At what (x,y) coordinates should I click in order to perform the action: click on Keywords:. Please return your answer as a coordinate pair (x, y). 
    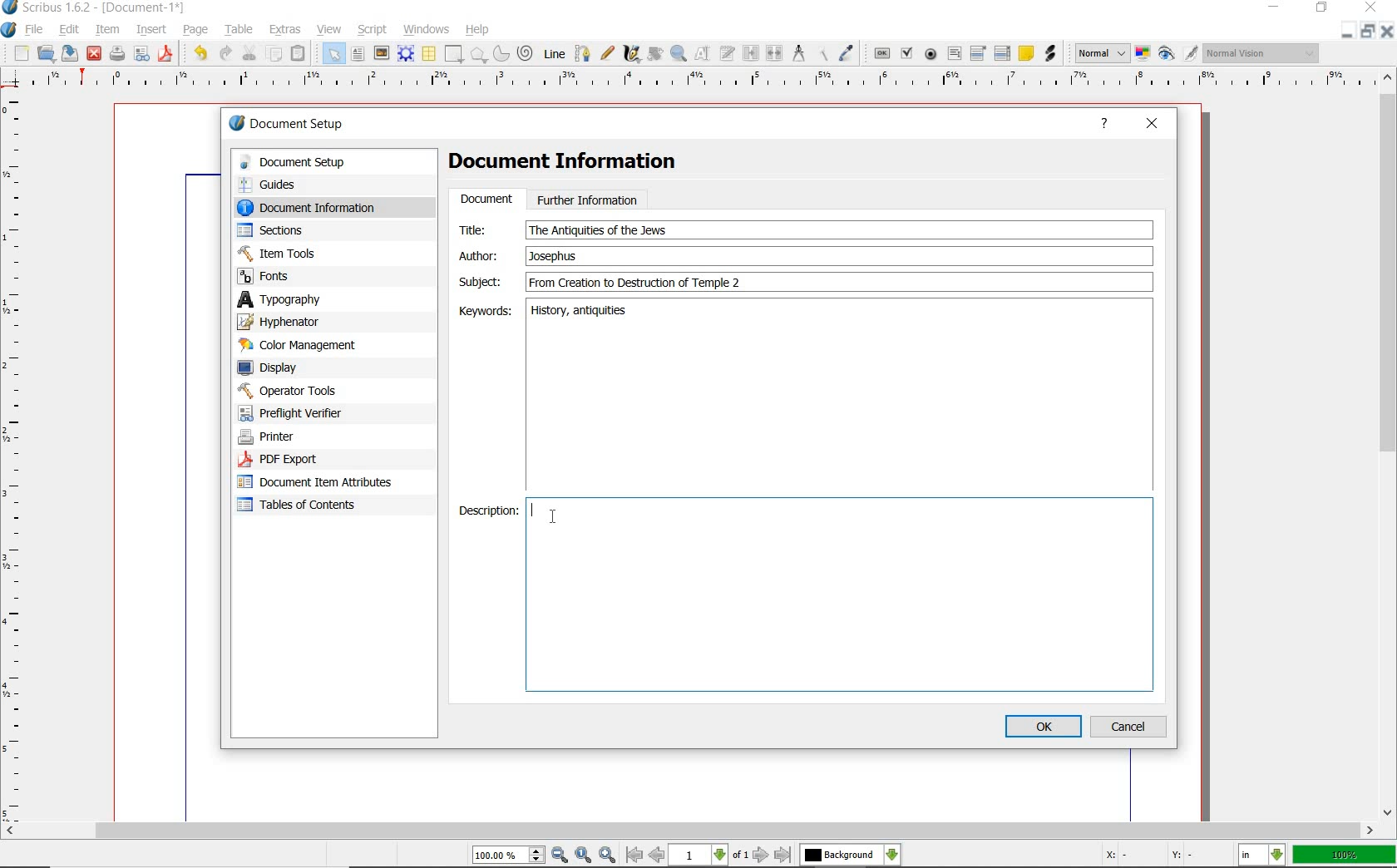
    Looking at the image, I should click on (483, 311).